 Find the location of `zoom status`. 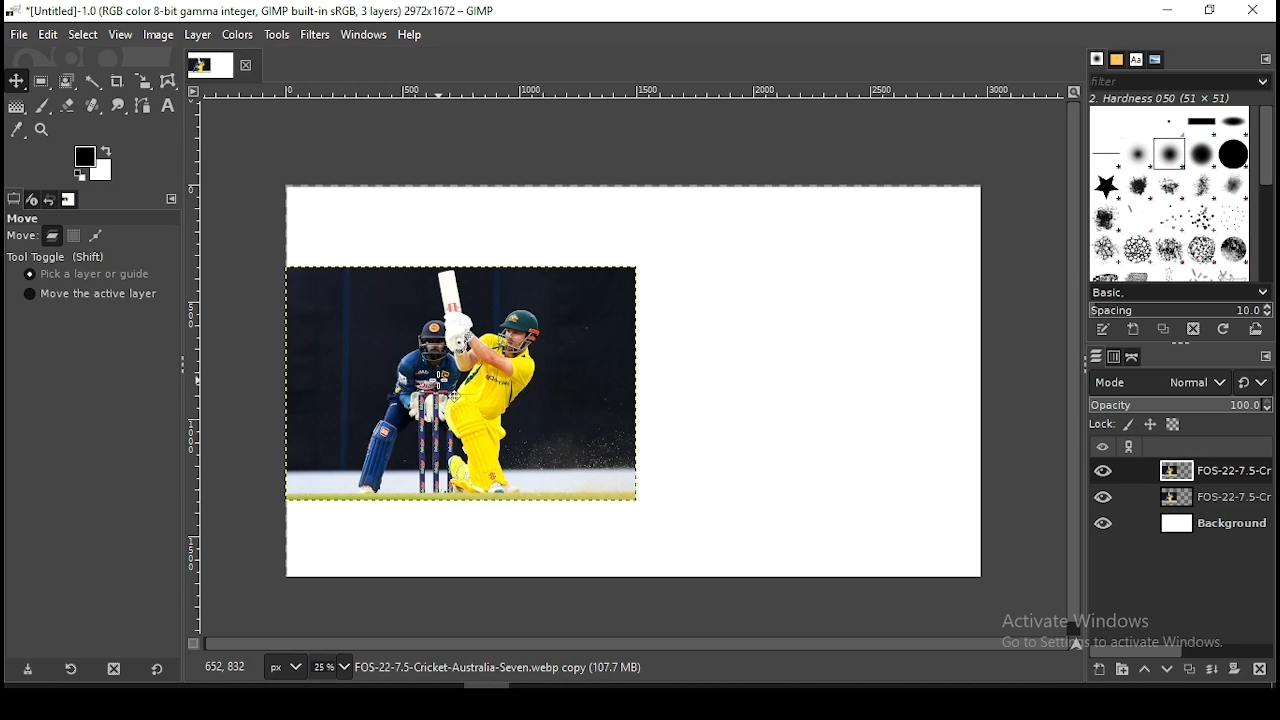

zoom status is located at coordinates (331, 669).